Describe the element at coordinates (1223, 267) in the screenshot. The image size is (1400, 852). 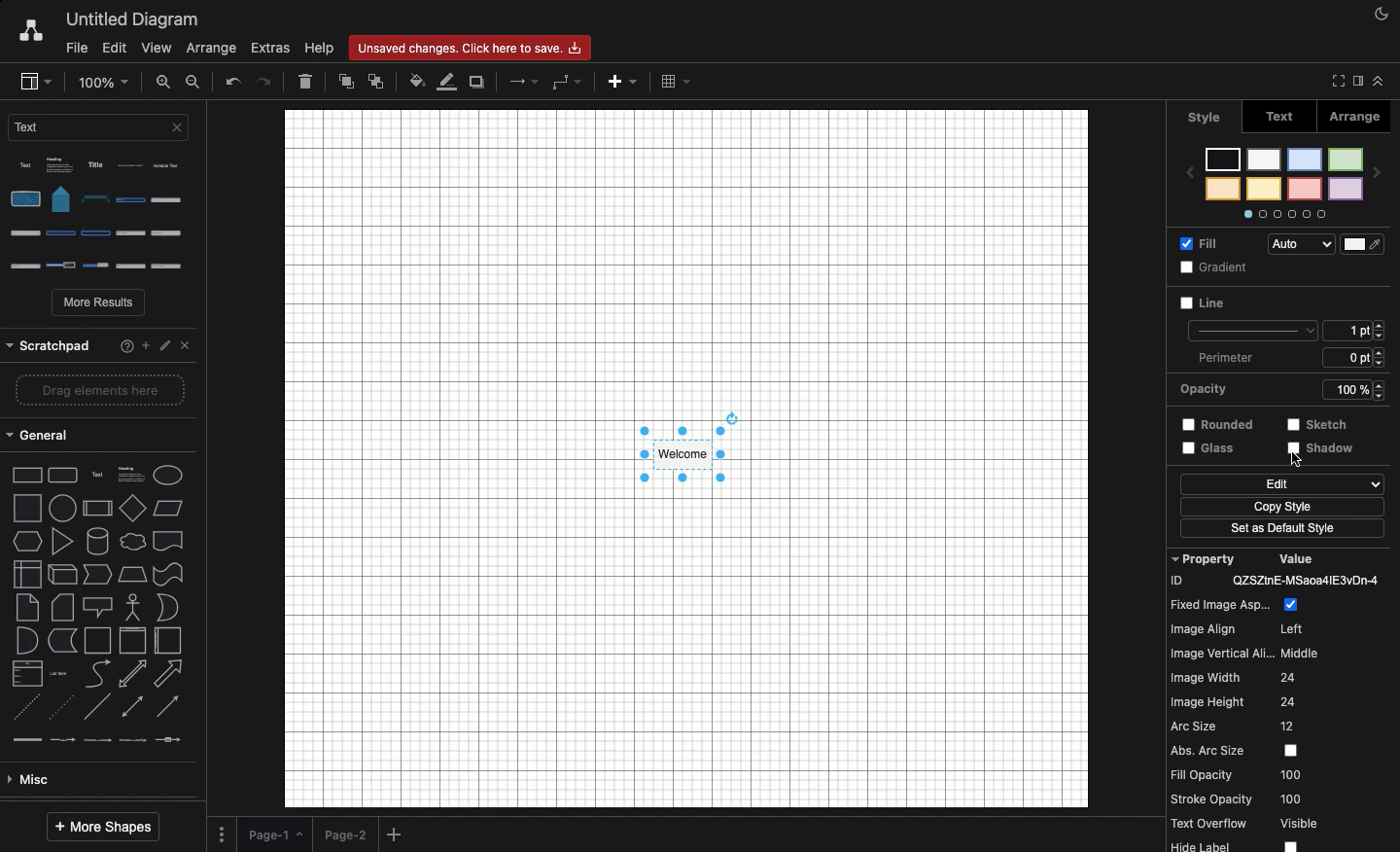
I see `Line` at that location.